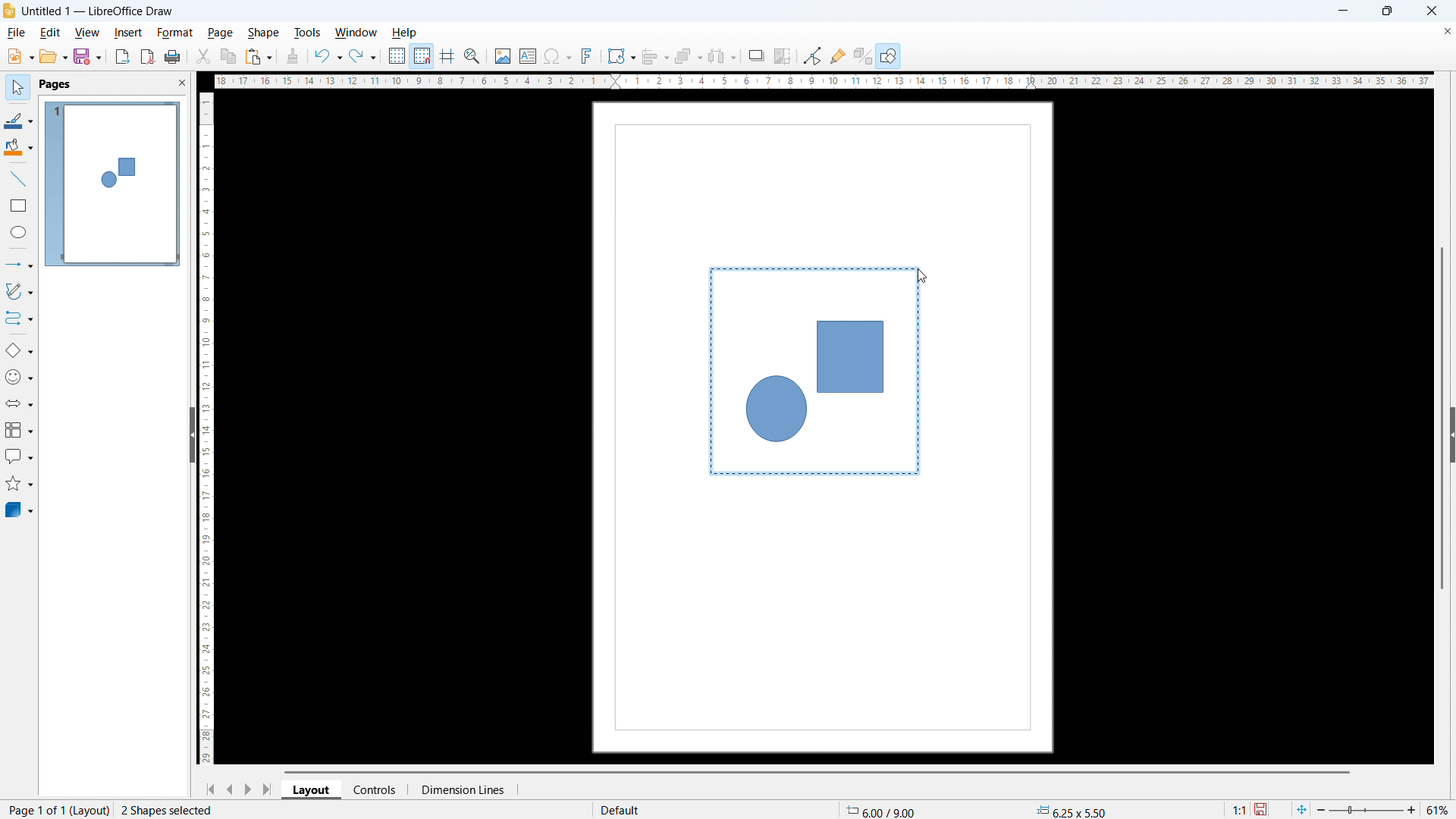 The height and width of the screenshot is (819, 1456). What do you see at coordinates (205, 428) in the screenshot?
I see `vertical ruler` at bounding box center [205, 428].